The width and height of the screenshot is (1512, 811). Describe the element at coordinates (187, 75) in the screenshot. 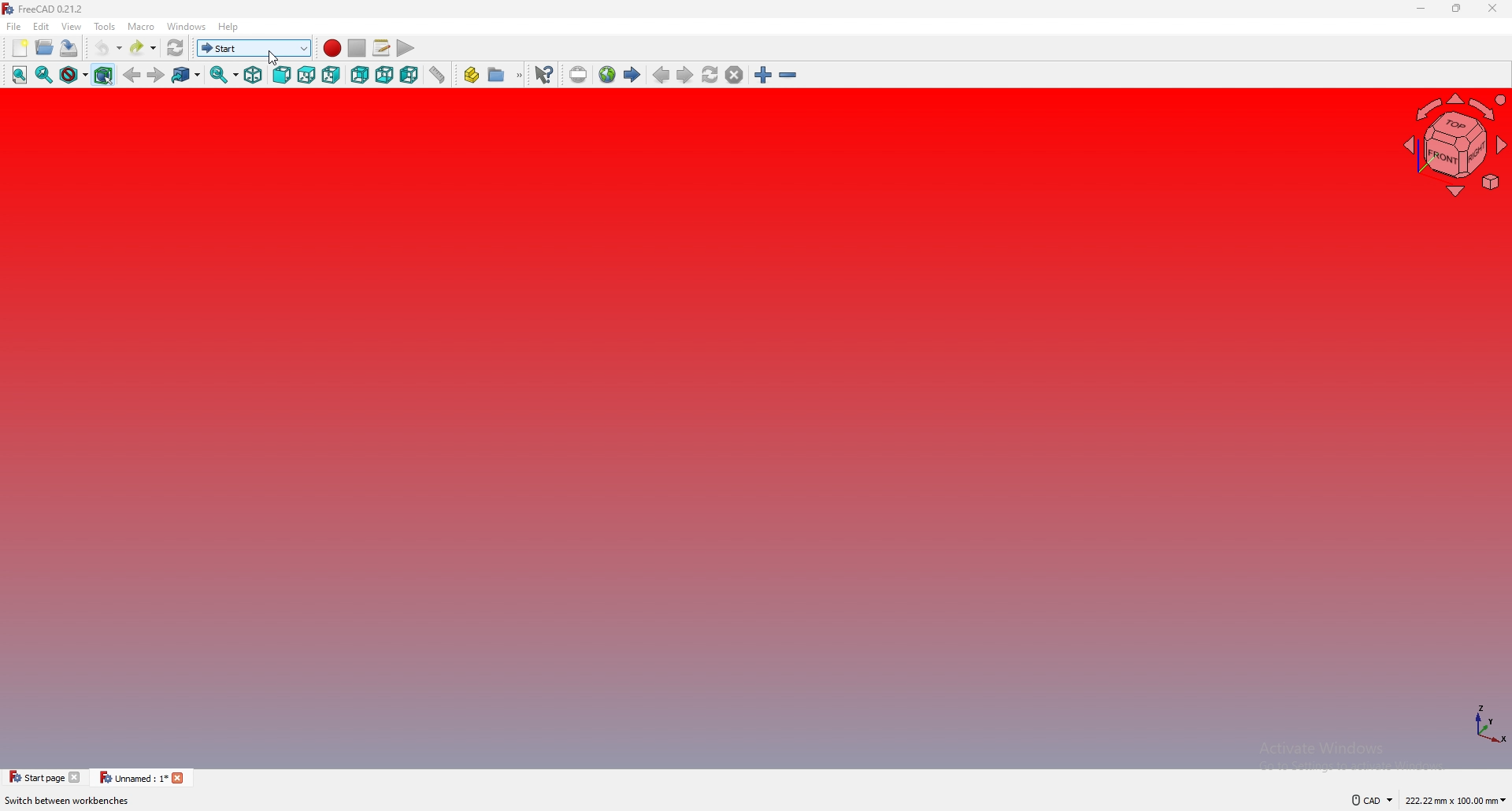

I see `goto linked object` at that location.